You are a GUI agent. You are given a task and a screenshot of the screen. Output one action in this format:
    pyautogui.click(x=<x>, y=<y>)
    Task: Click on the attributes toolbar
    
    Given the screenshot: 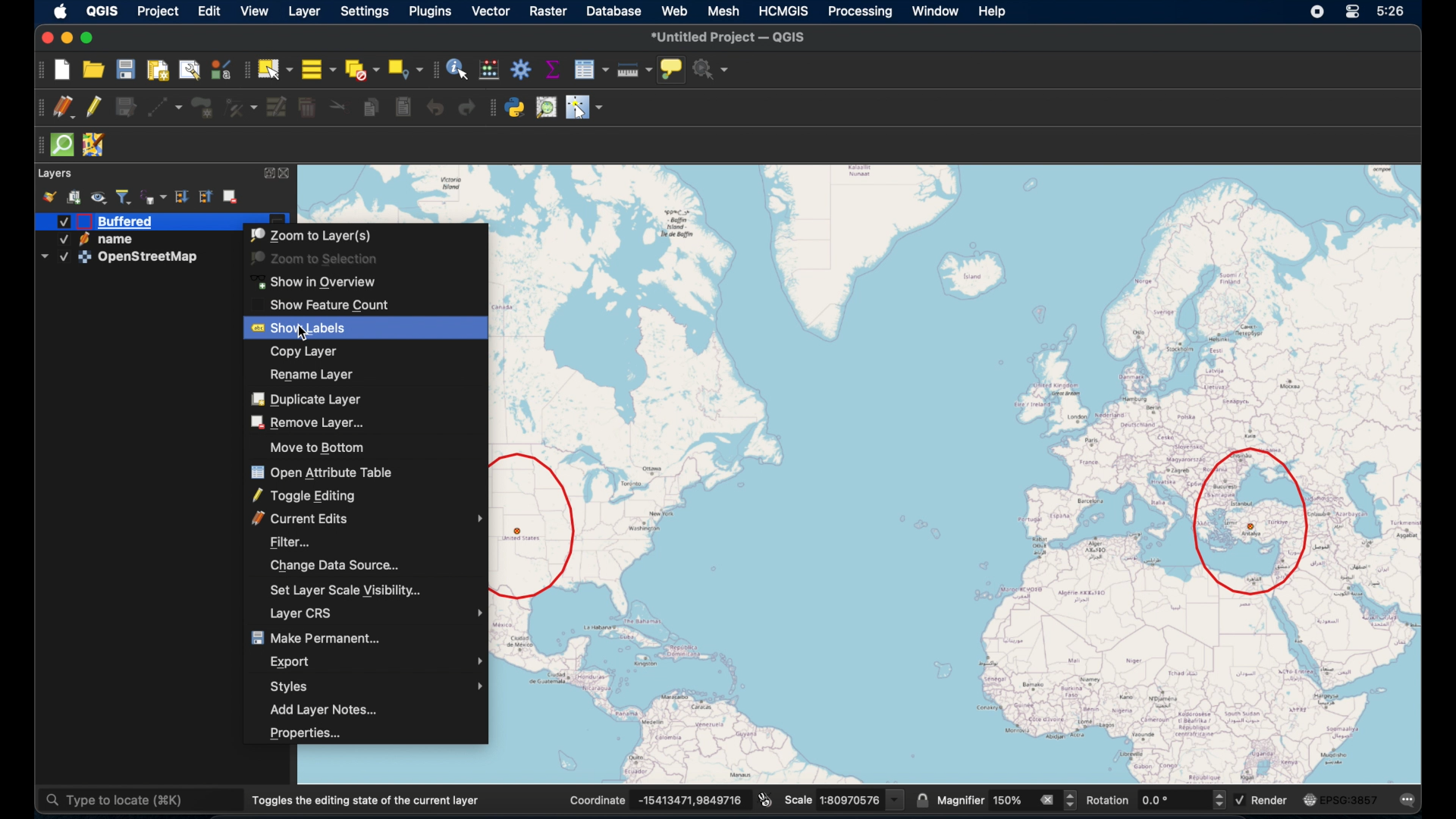 What is the action you would take?
    pyautogui.click(x=434, y=70)
    